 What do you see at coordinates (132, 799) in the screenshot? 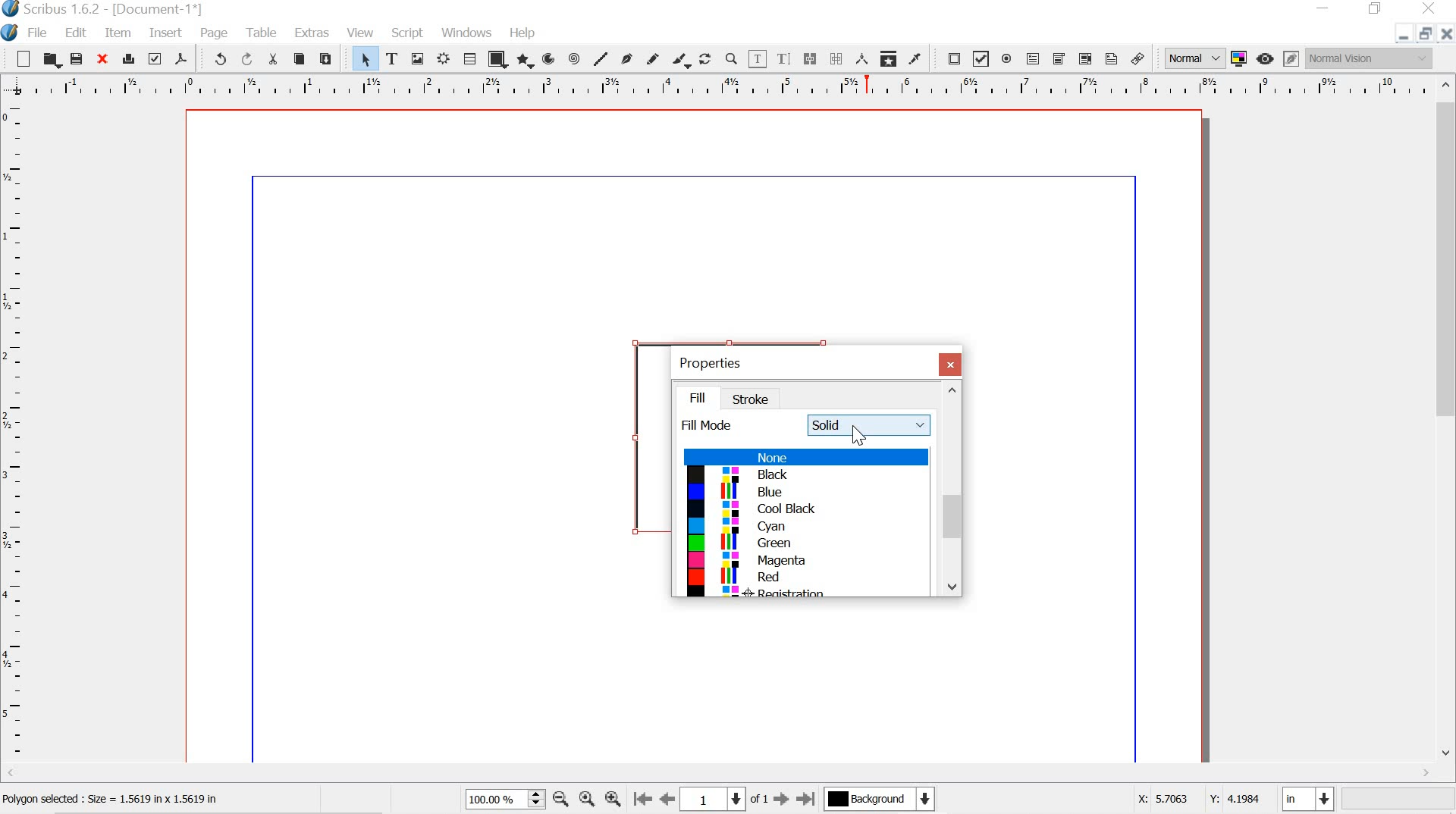
I see `polygon selected : size = 1.5619 in x 5619 in` at bounding box center [132, 799].